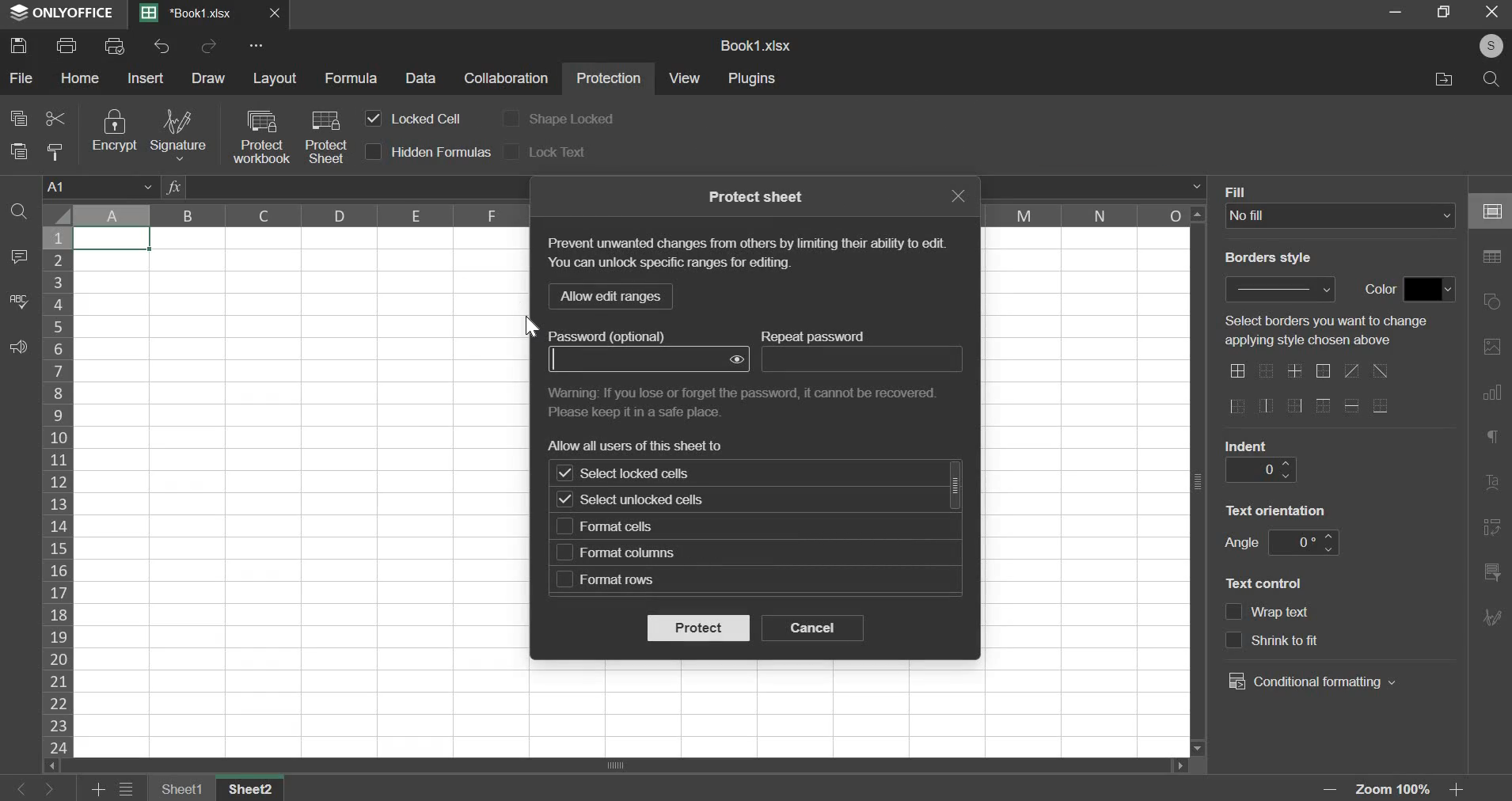  I want to click on select unlocked cells, so click(649, 502).